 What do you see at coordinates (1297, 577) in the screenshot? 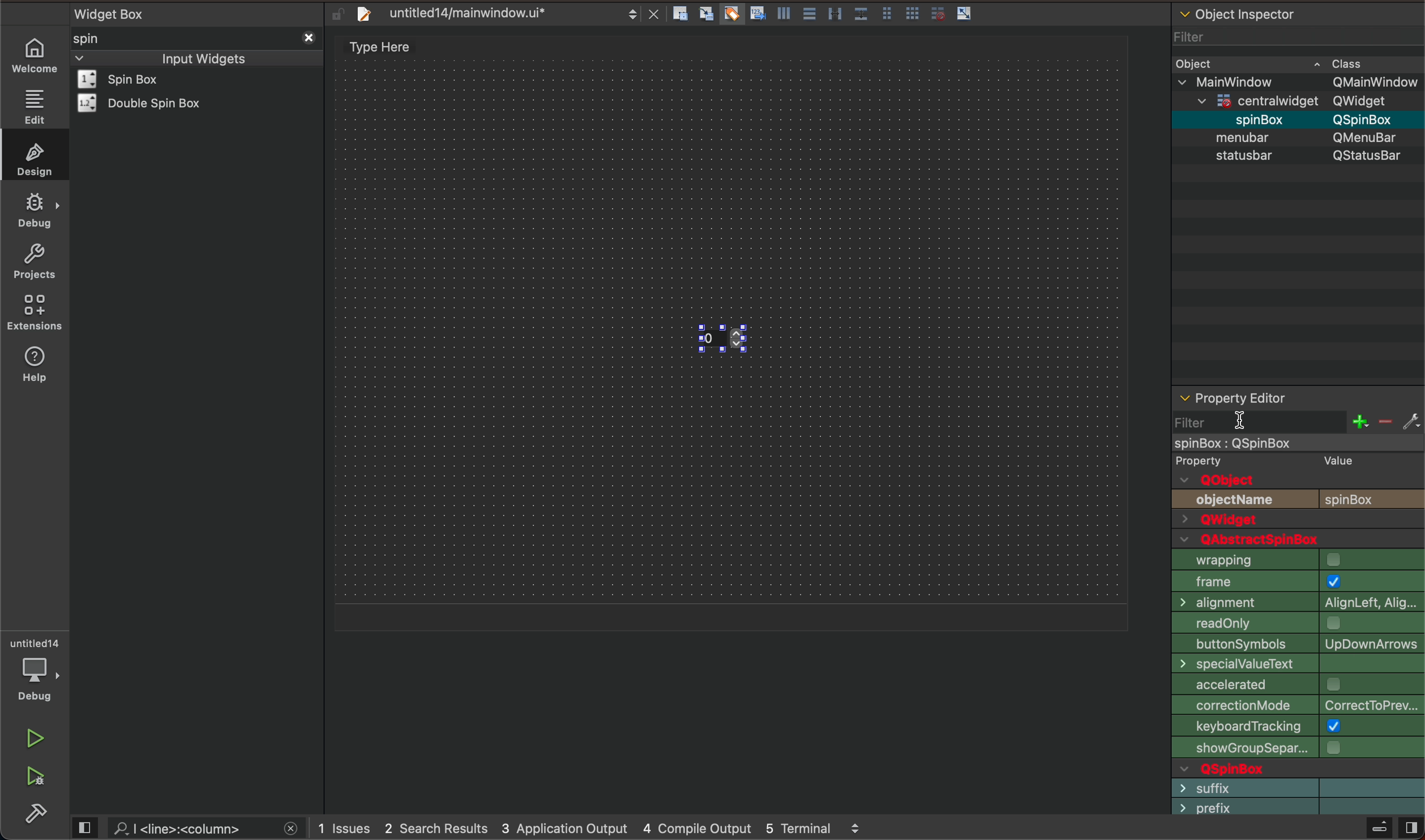
I see `toolbutton style` at bounding box center [1297, 577].